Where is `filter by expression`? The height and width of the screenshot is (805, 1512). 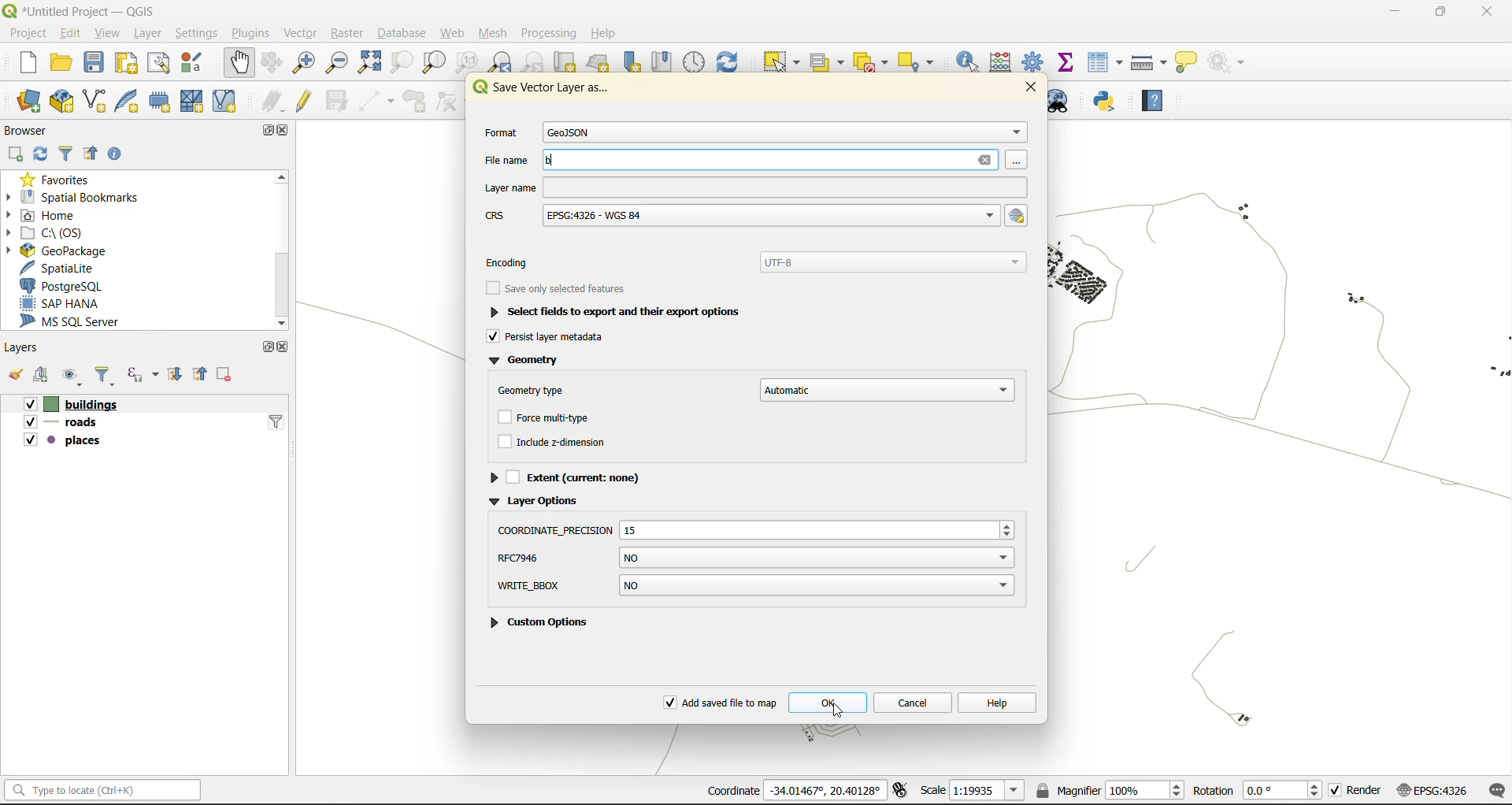
filter by expression is located at coordinates (143, 376).